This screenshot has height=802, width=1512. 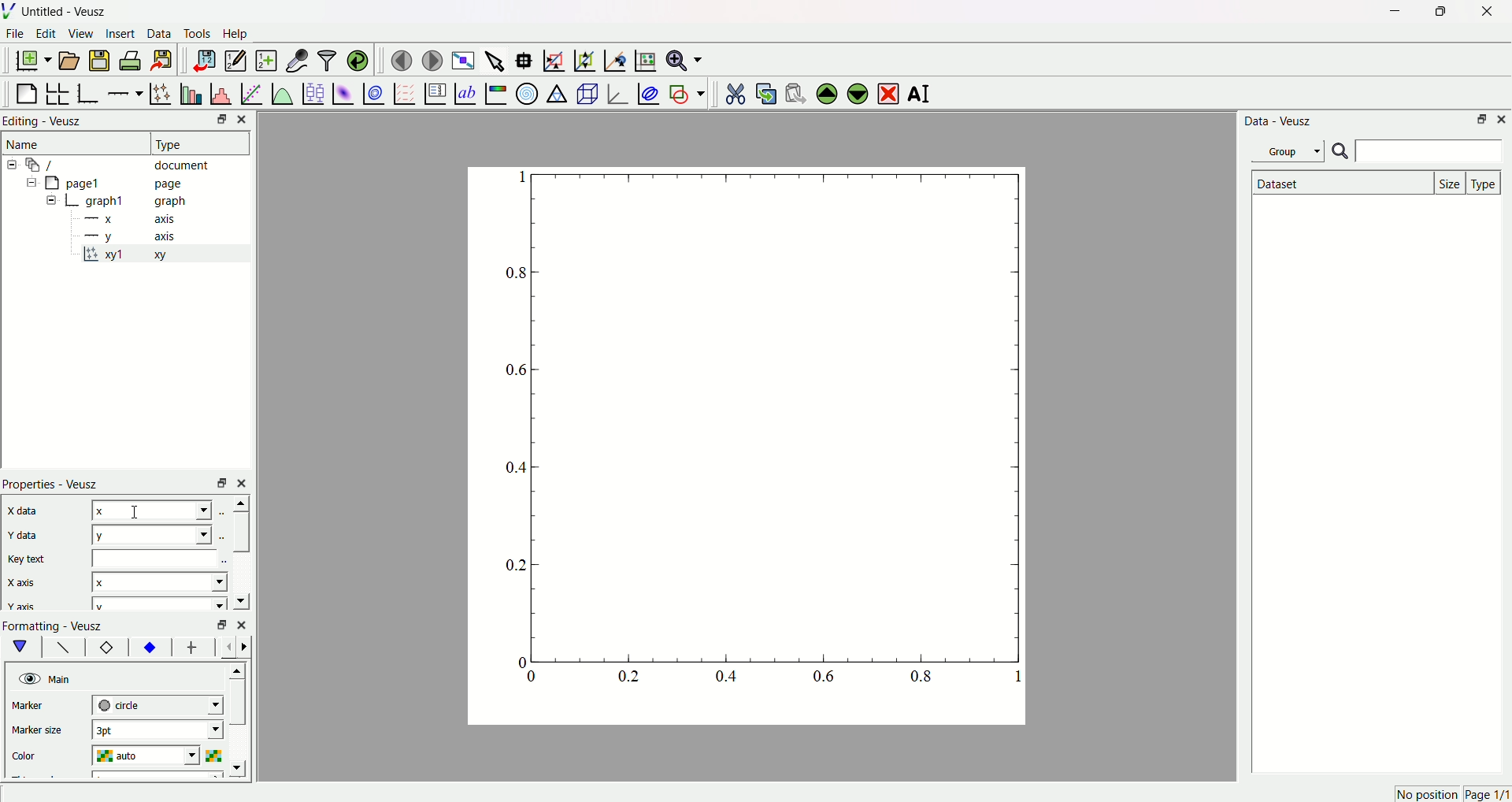 I want to click on Logo, so click(x=12, y=12).